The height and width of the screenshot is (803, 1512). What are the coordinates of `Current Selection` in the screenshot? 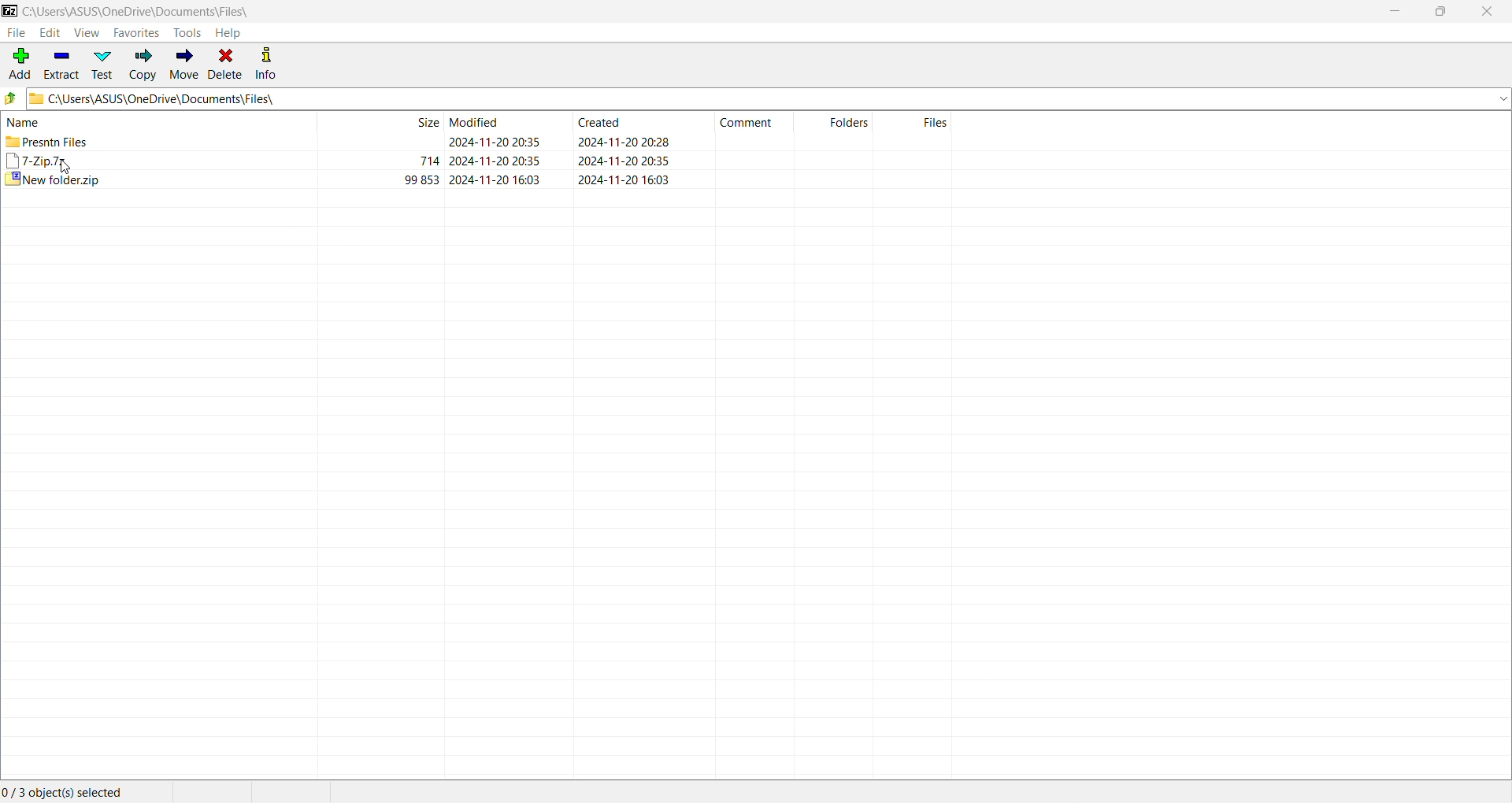 It's located at (71, 793).